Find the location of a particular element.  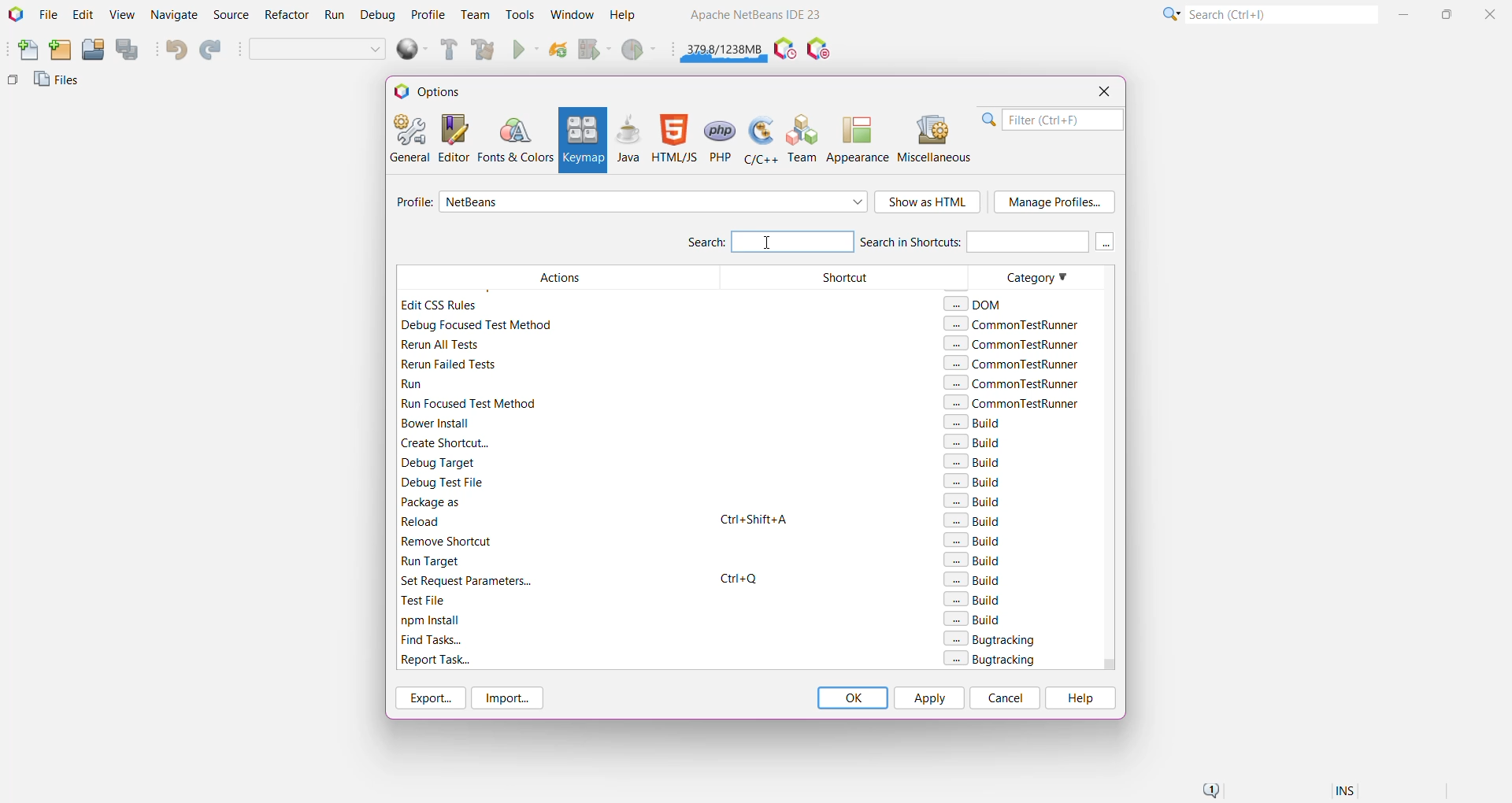

Miscellaneous is located at coordinates (936, 139).